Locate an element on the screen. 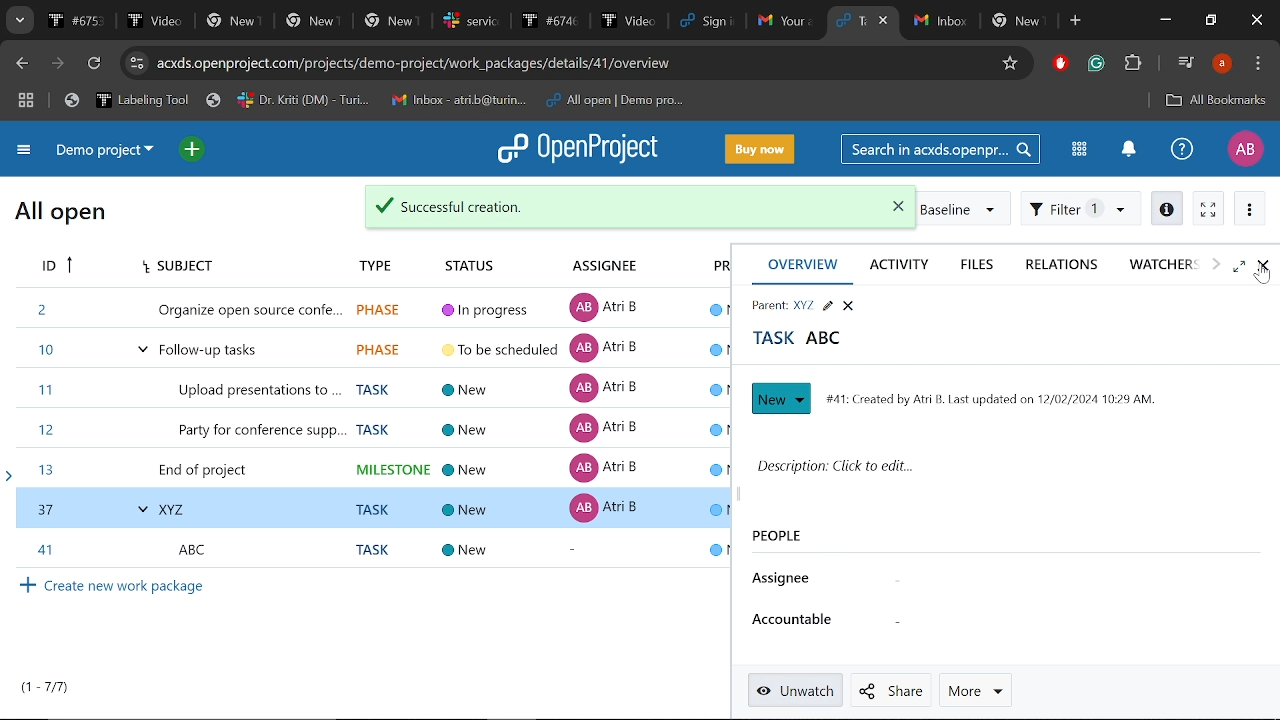  Activate zen mode is located at coordinates (1209, 207).